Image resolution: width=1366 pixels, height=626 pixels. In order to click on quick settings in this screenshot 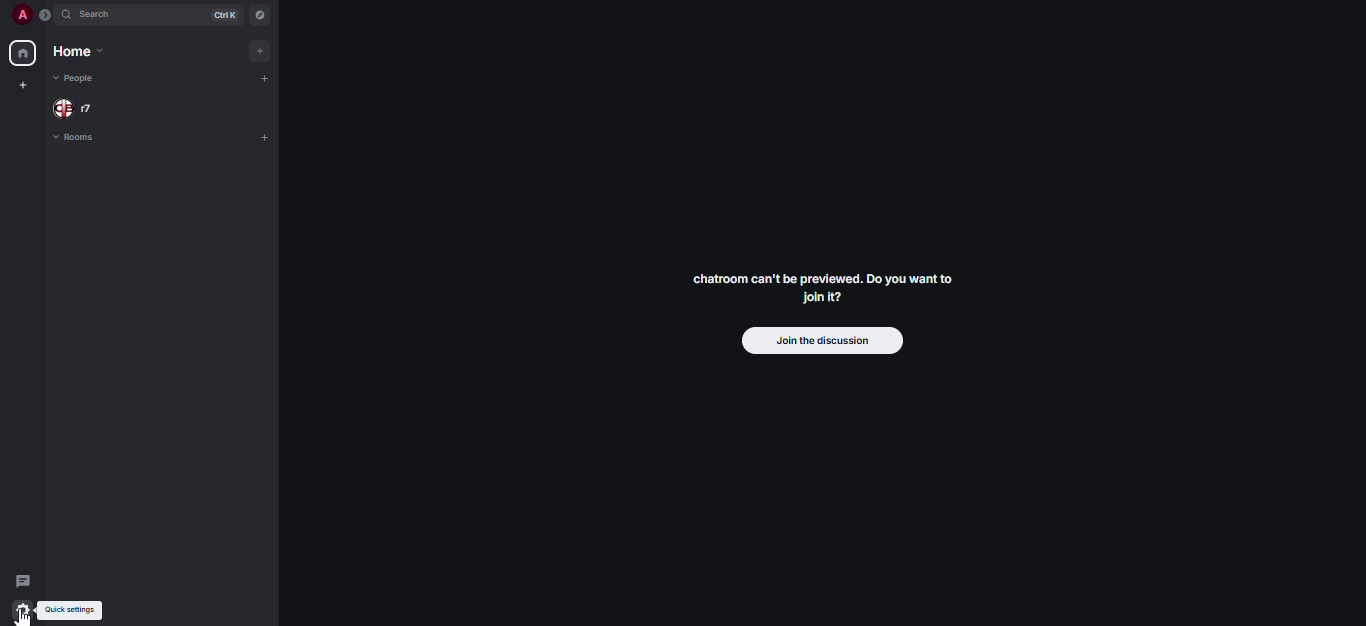, I will do `click(22, 610)`.